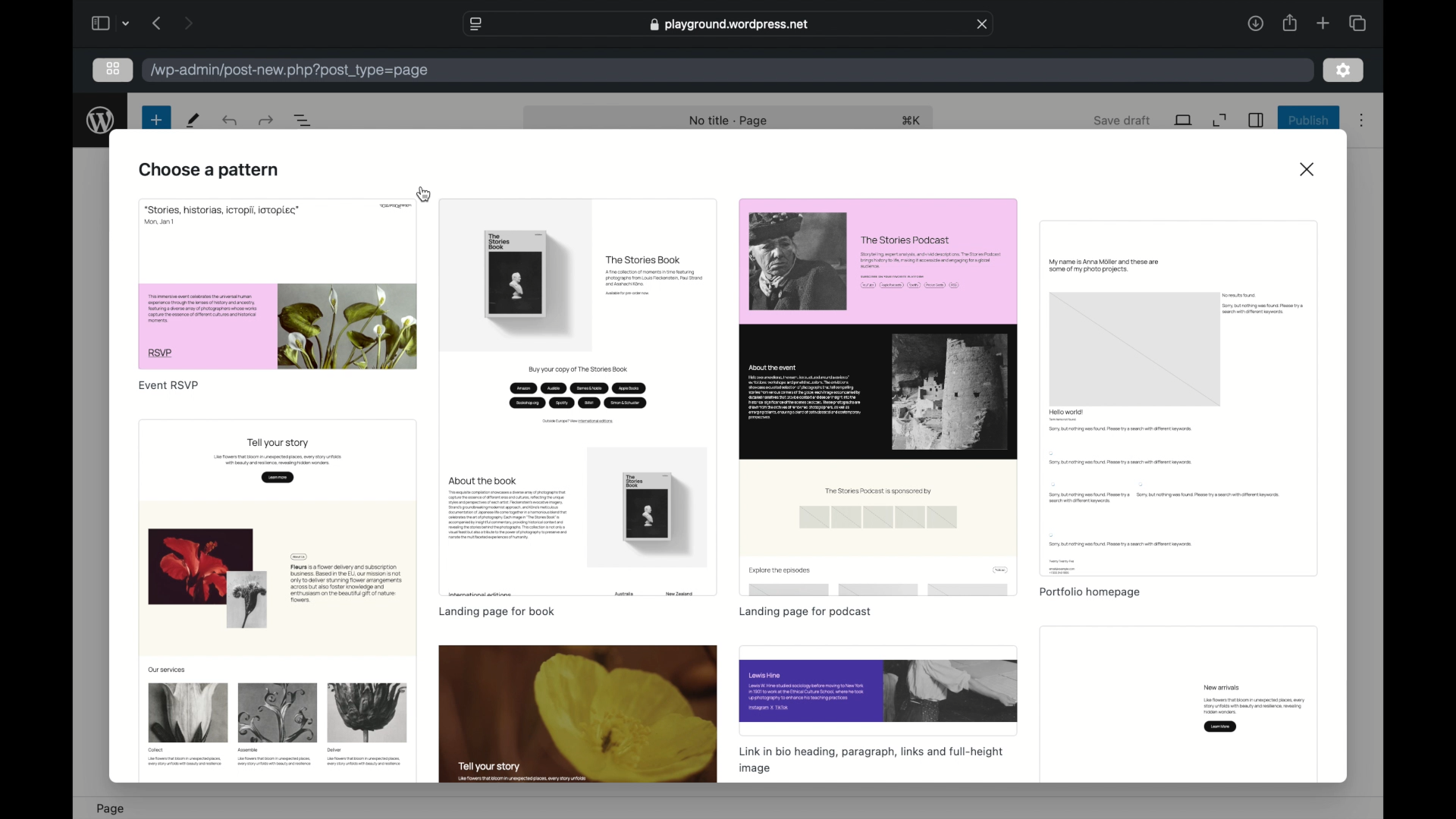  Describe the element at coordinates (877, 397) in the screenshot. I see `preview` at that location.